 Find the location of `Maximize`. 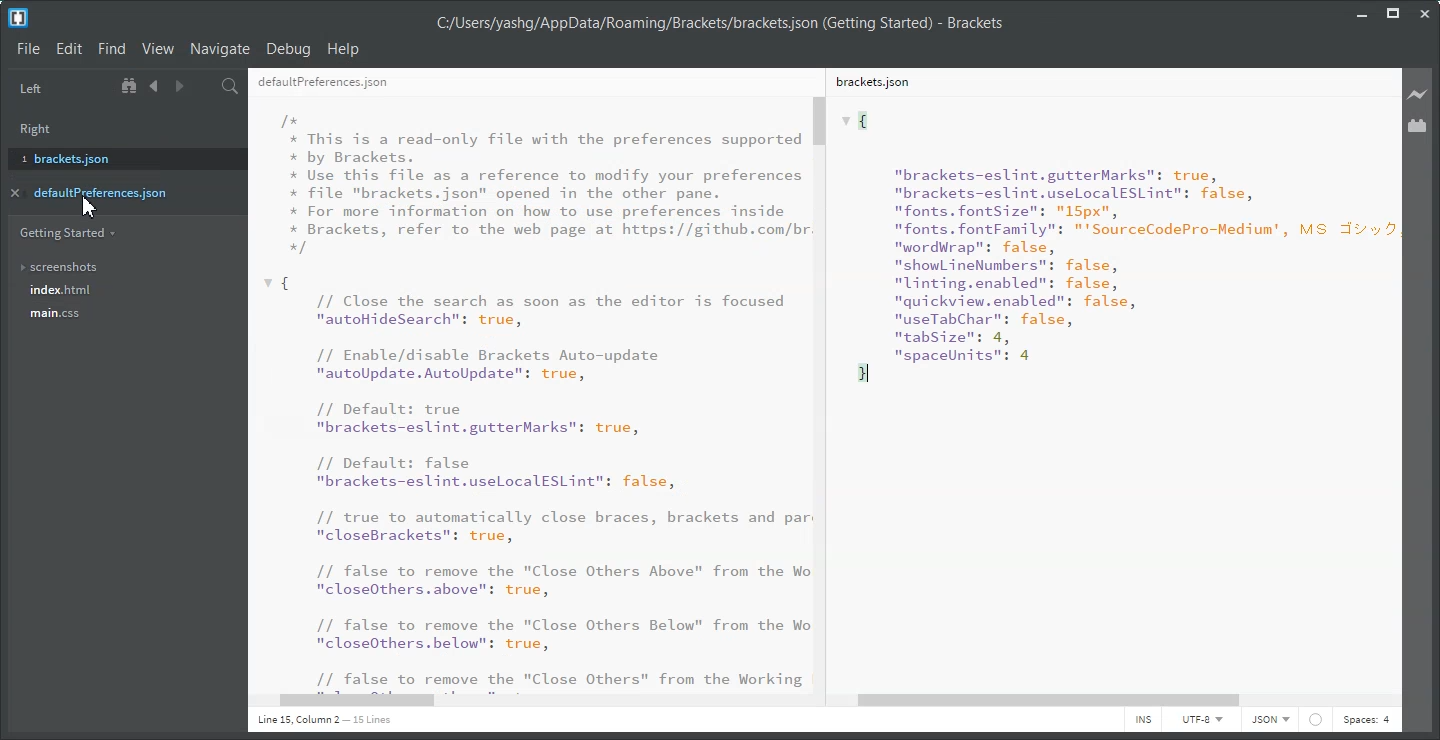

Maximize is located at coordinates (1393, 13).